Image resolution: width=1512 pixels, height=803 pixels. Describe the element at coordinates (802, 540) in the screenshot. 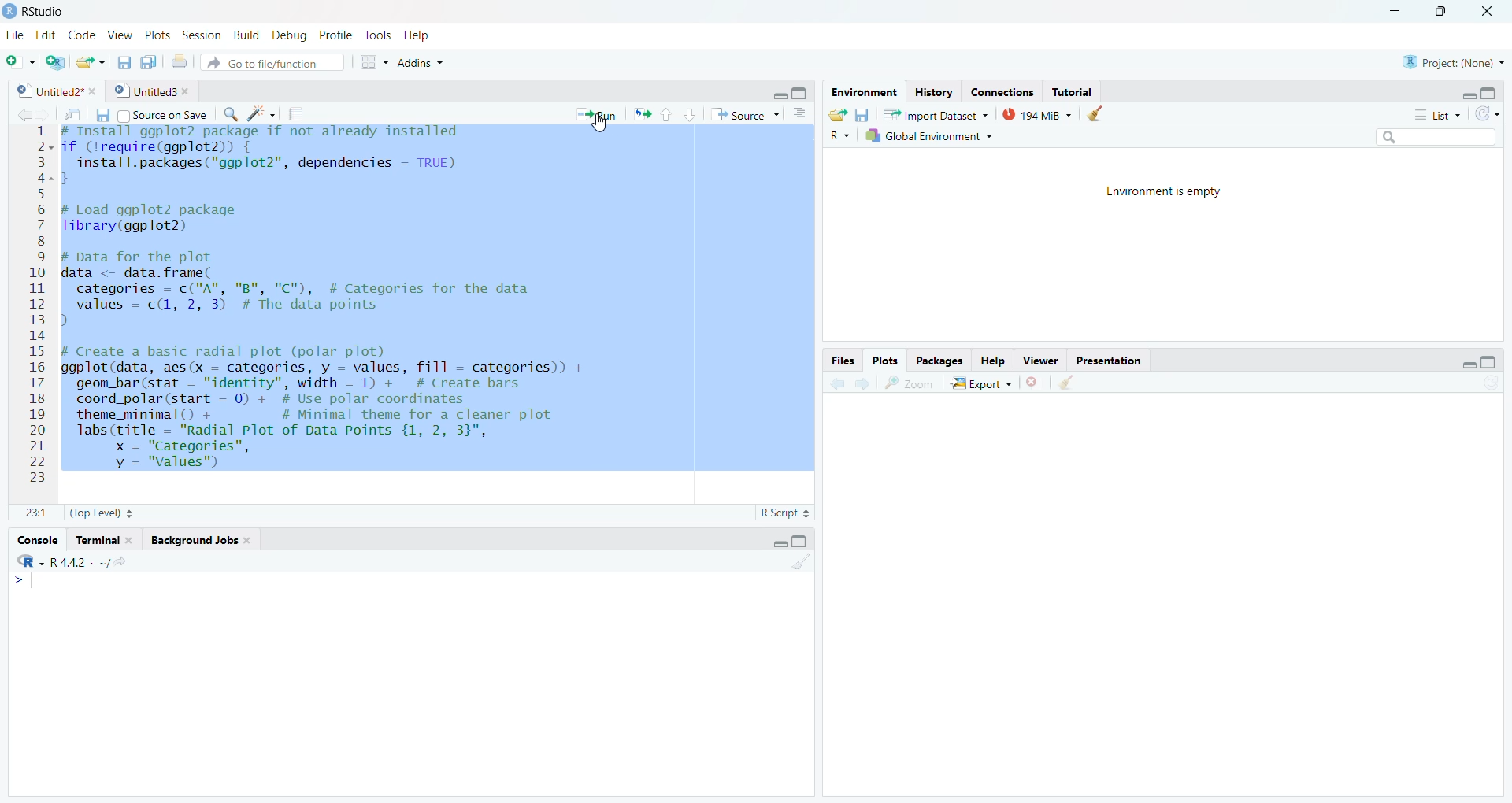

I see `Maximize` at that location.